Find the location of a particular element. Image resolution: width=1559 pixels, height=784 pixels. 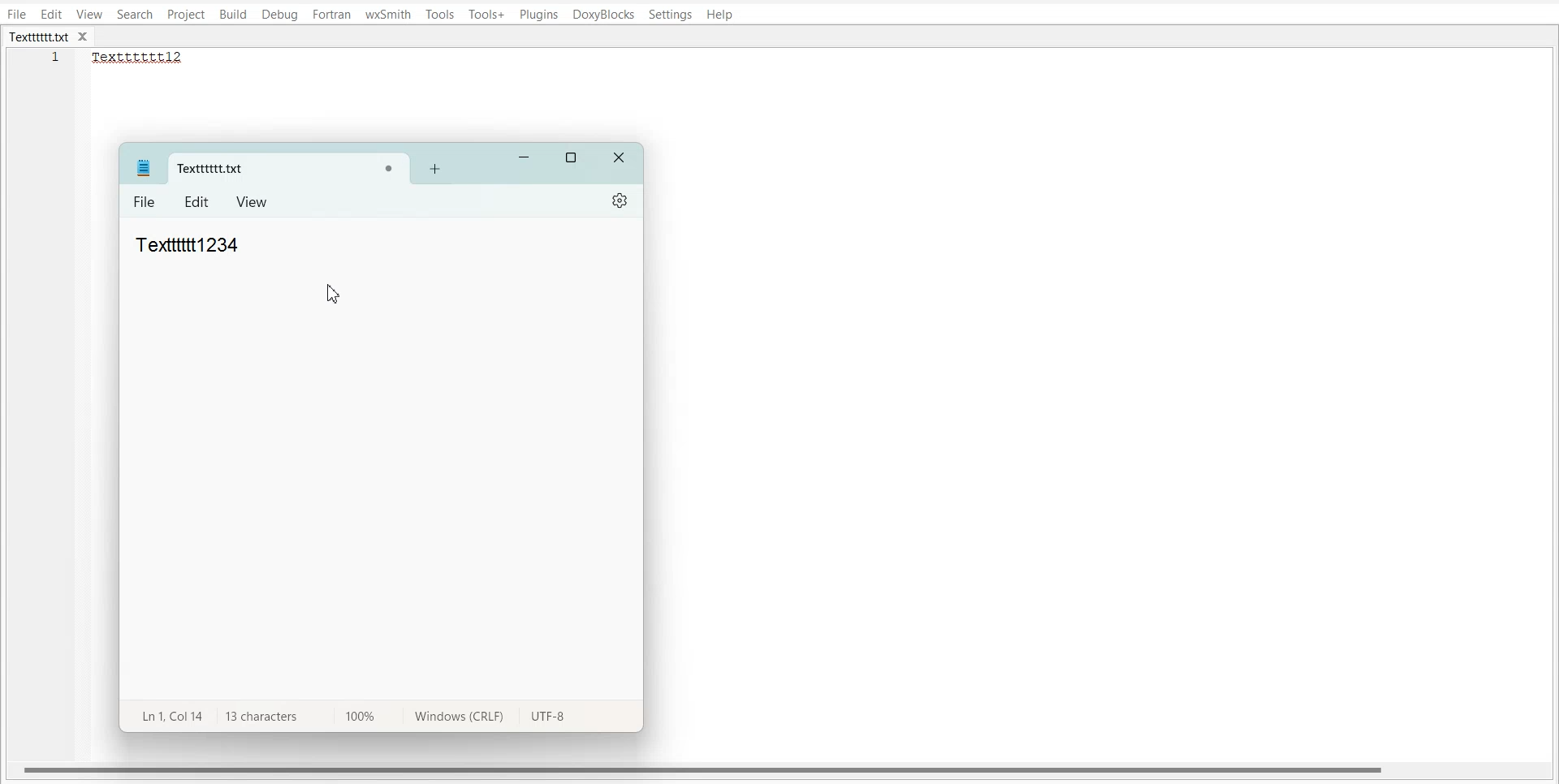

Tools+ is located at coordinates (487, 15).